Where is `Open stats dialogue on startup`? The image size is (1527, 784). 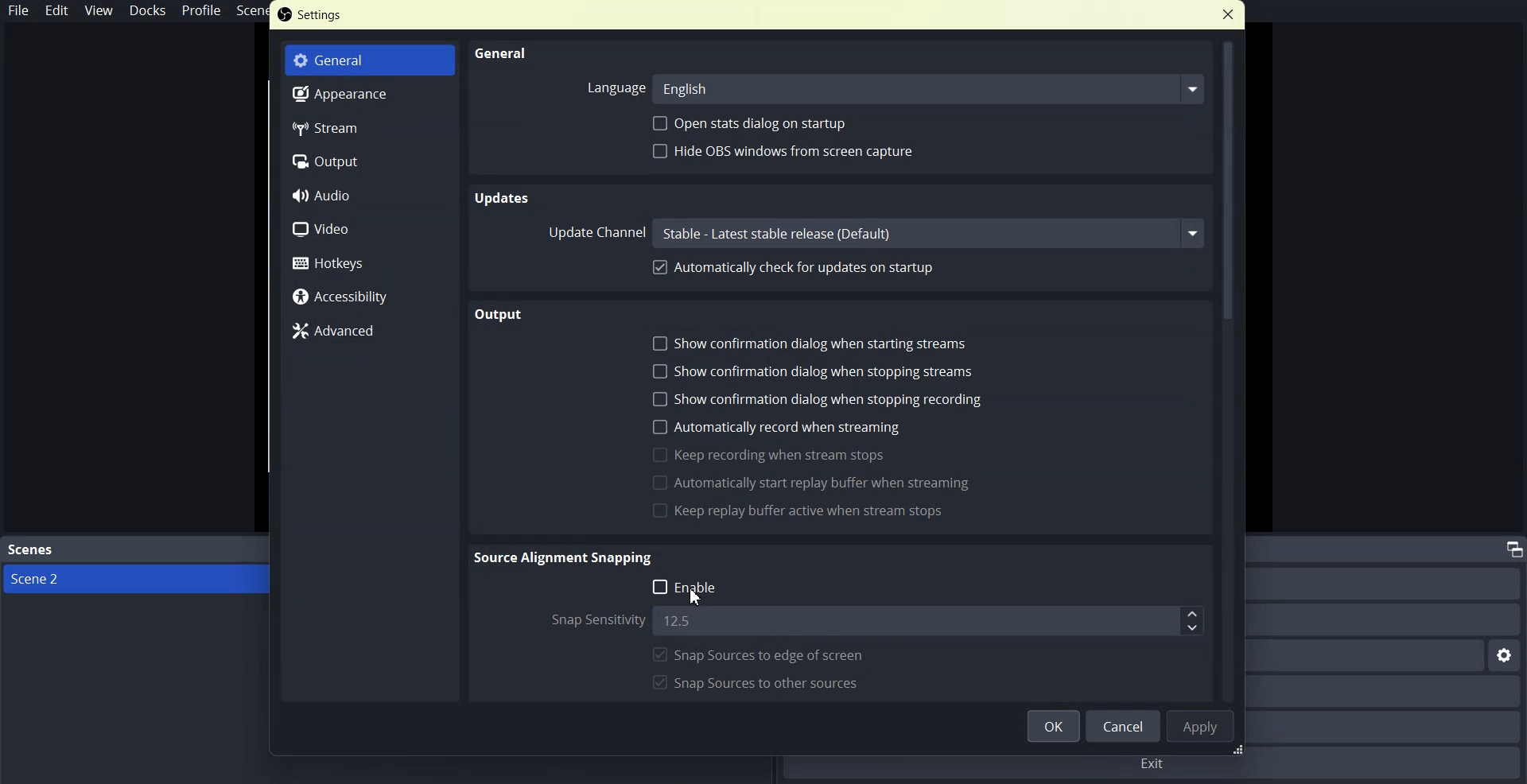 Open stats dialogue on startup is located at coordinates (756, 122).